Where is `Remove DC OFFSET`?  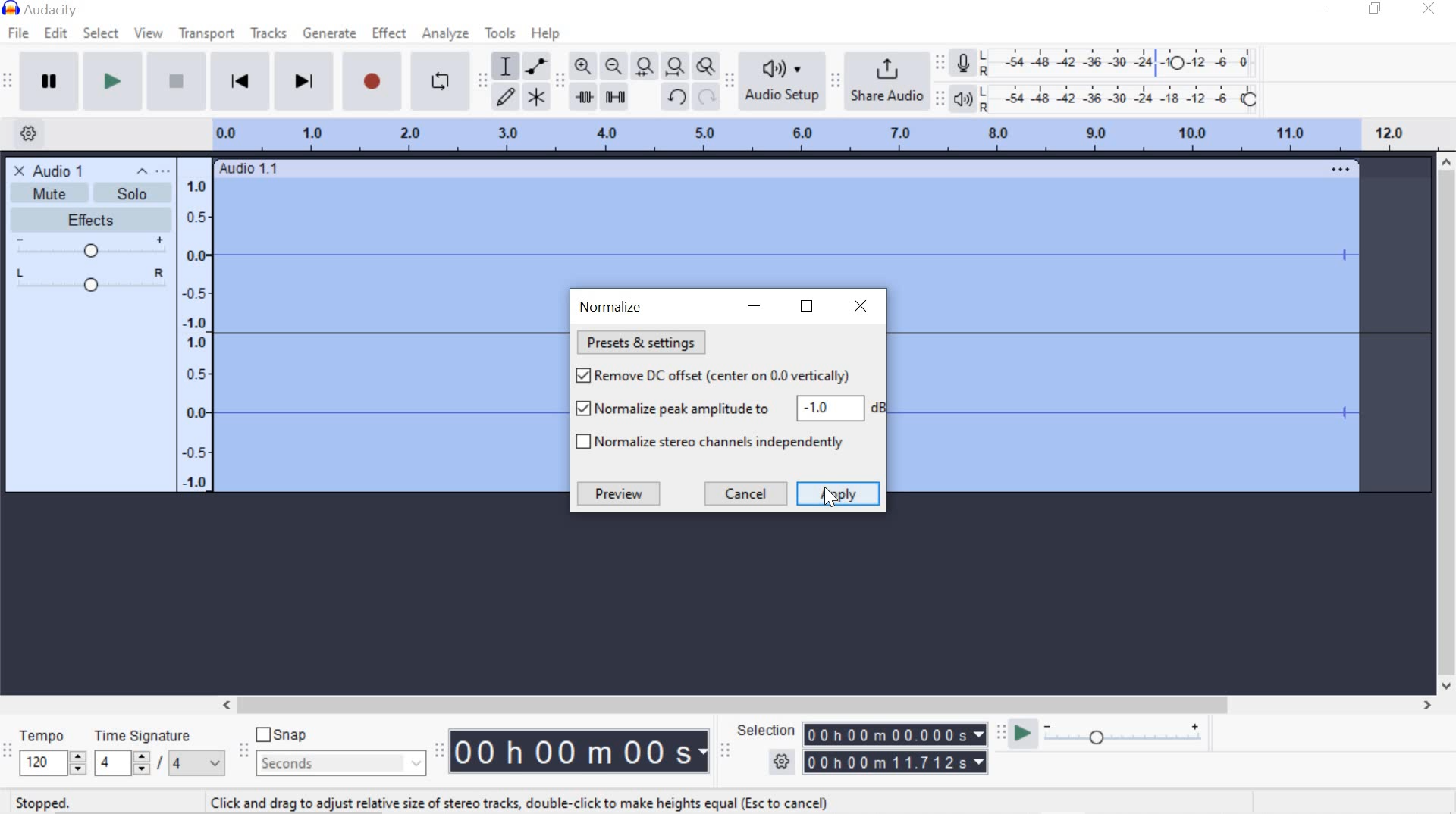
Remove DC OFFSET is located at coordinates (728, 374).